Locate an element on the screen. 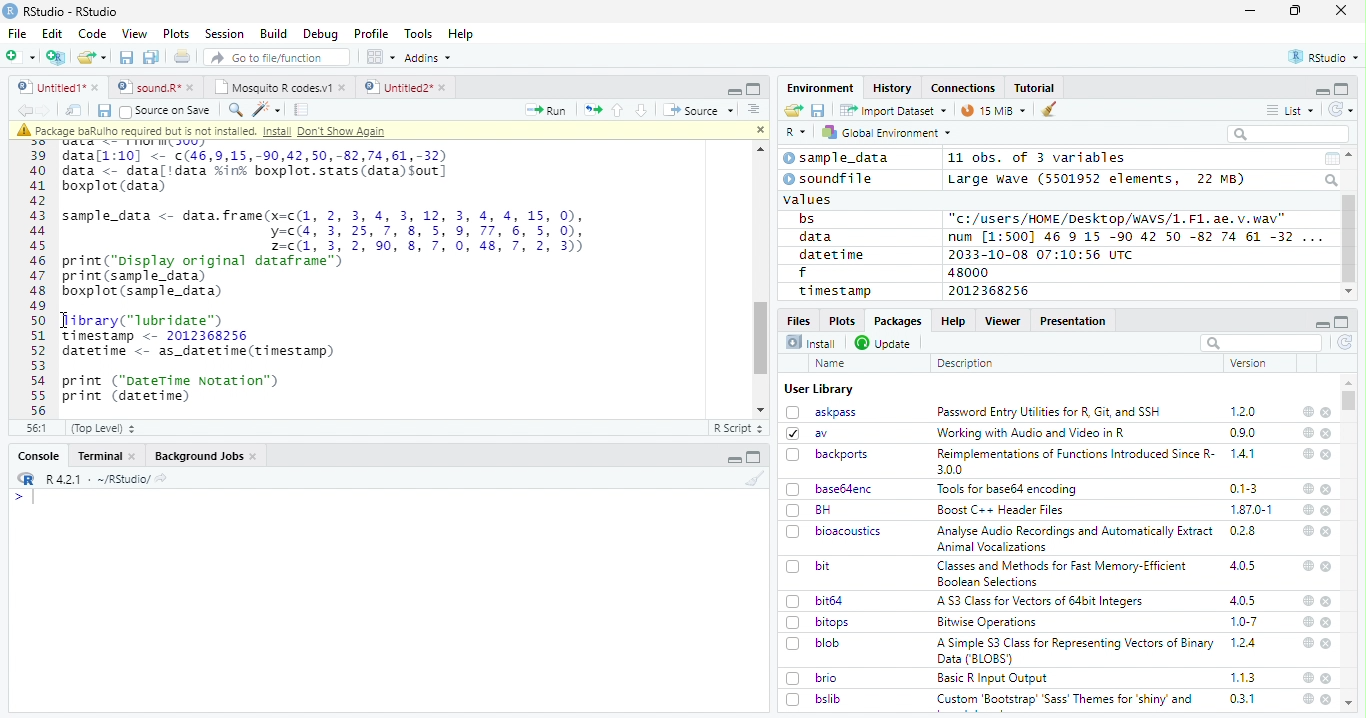  Session is located at coordinates (223, 34).